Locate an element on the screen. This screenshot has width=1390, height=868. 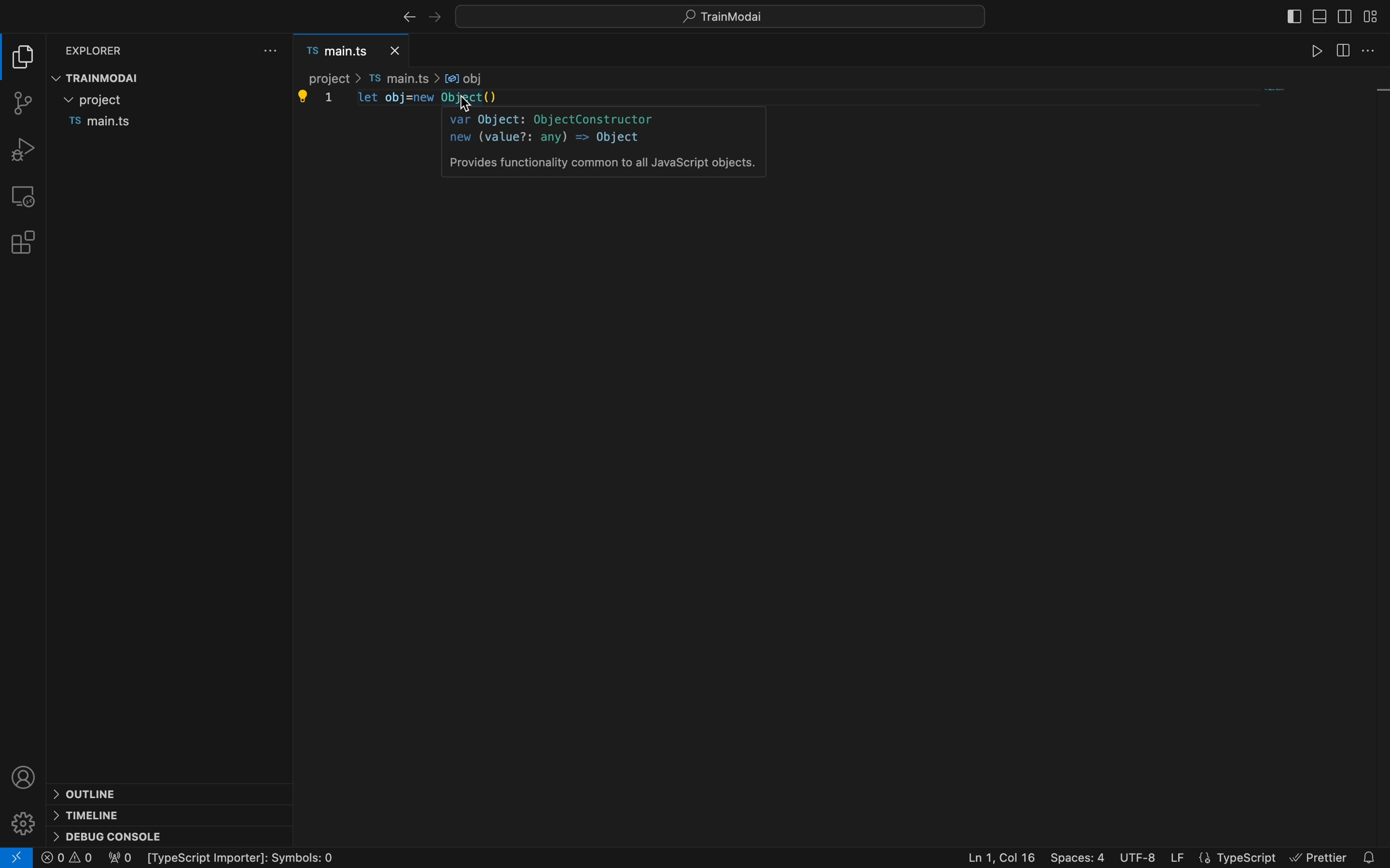
git  is located at coordinates (24, 101).